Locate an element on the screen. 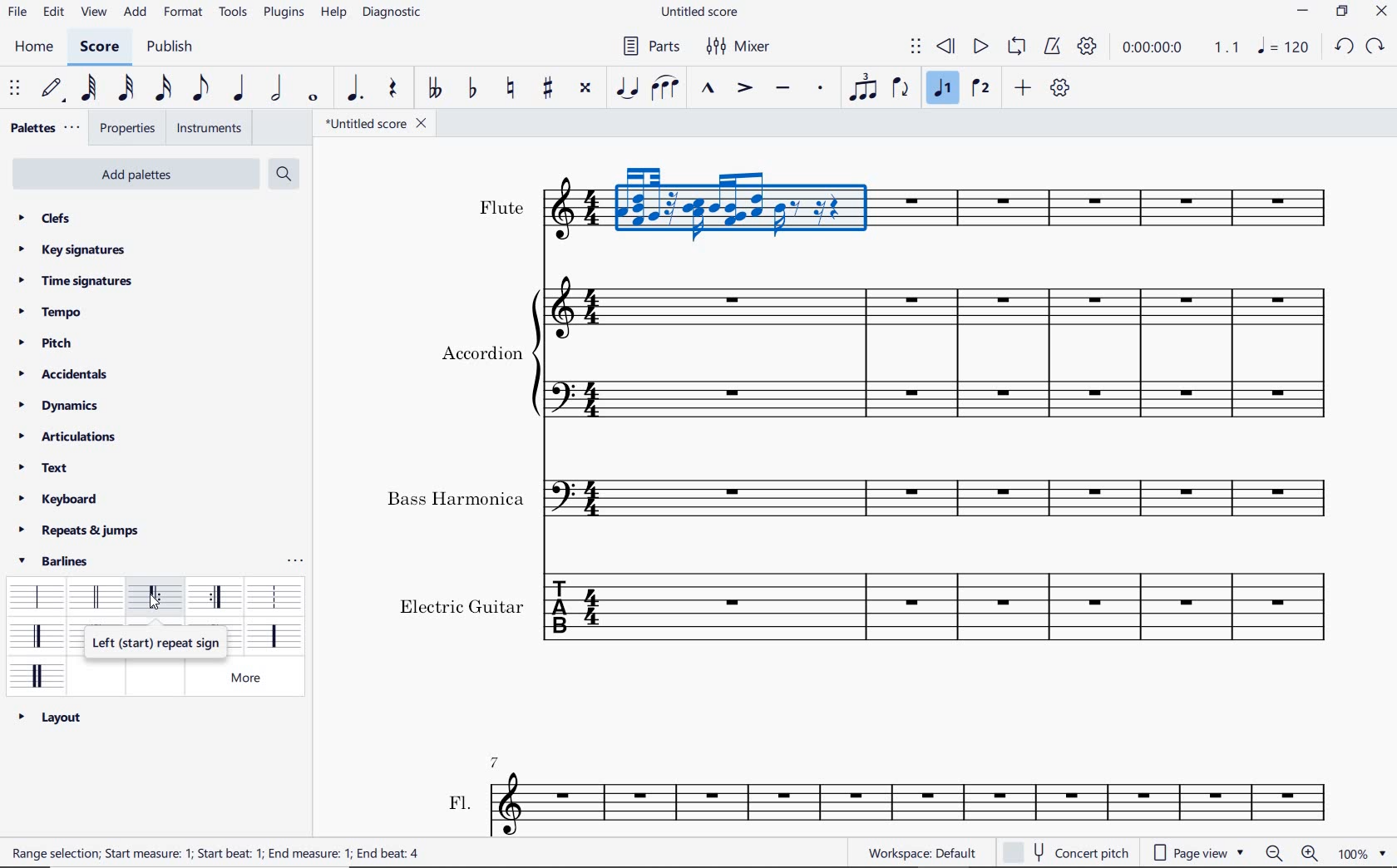  Instrument: Flute is located at coordinates (950, 215).